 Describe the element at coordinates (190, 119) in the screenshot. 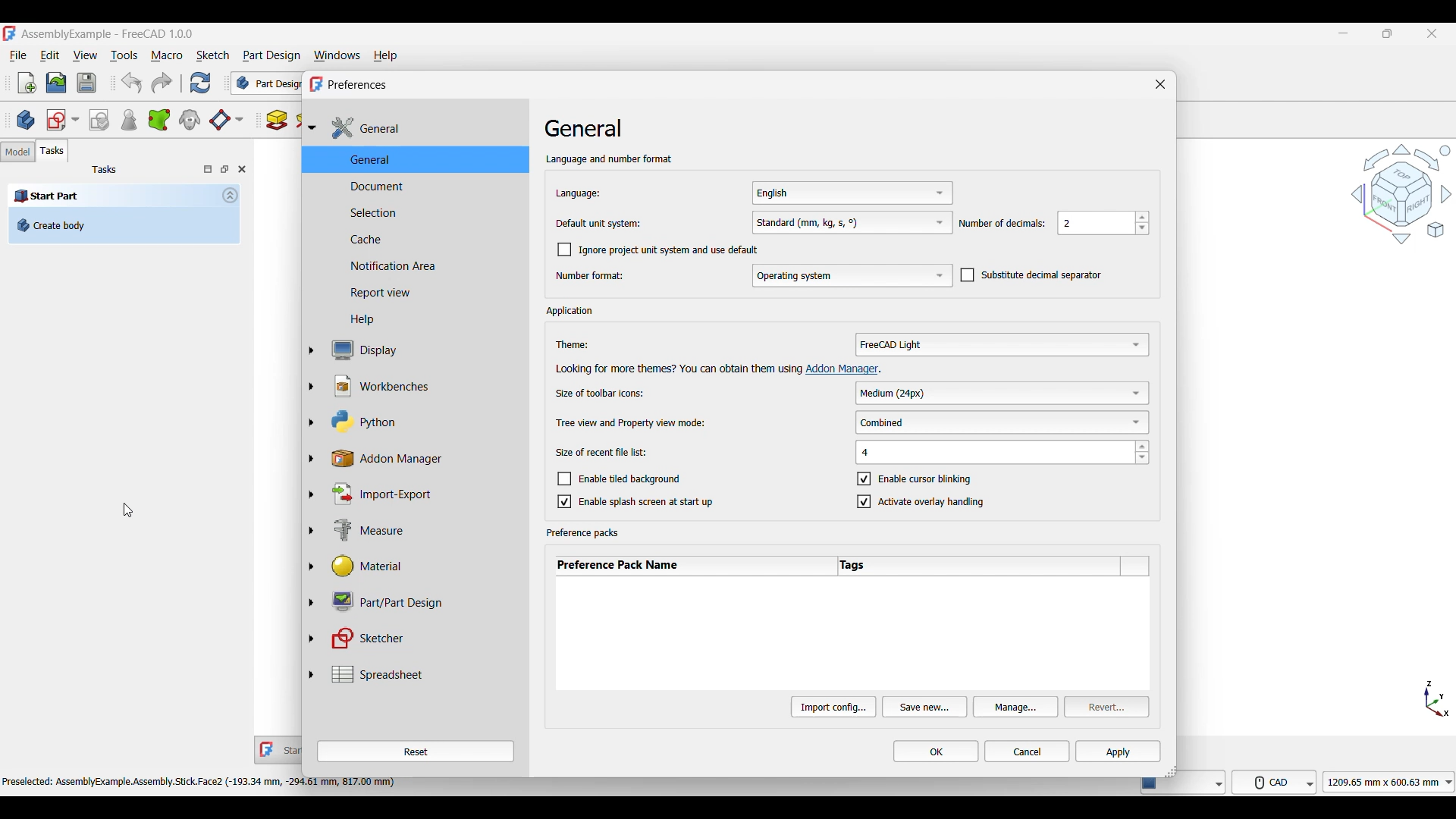

I see `Create a clone` at that location.